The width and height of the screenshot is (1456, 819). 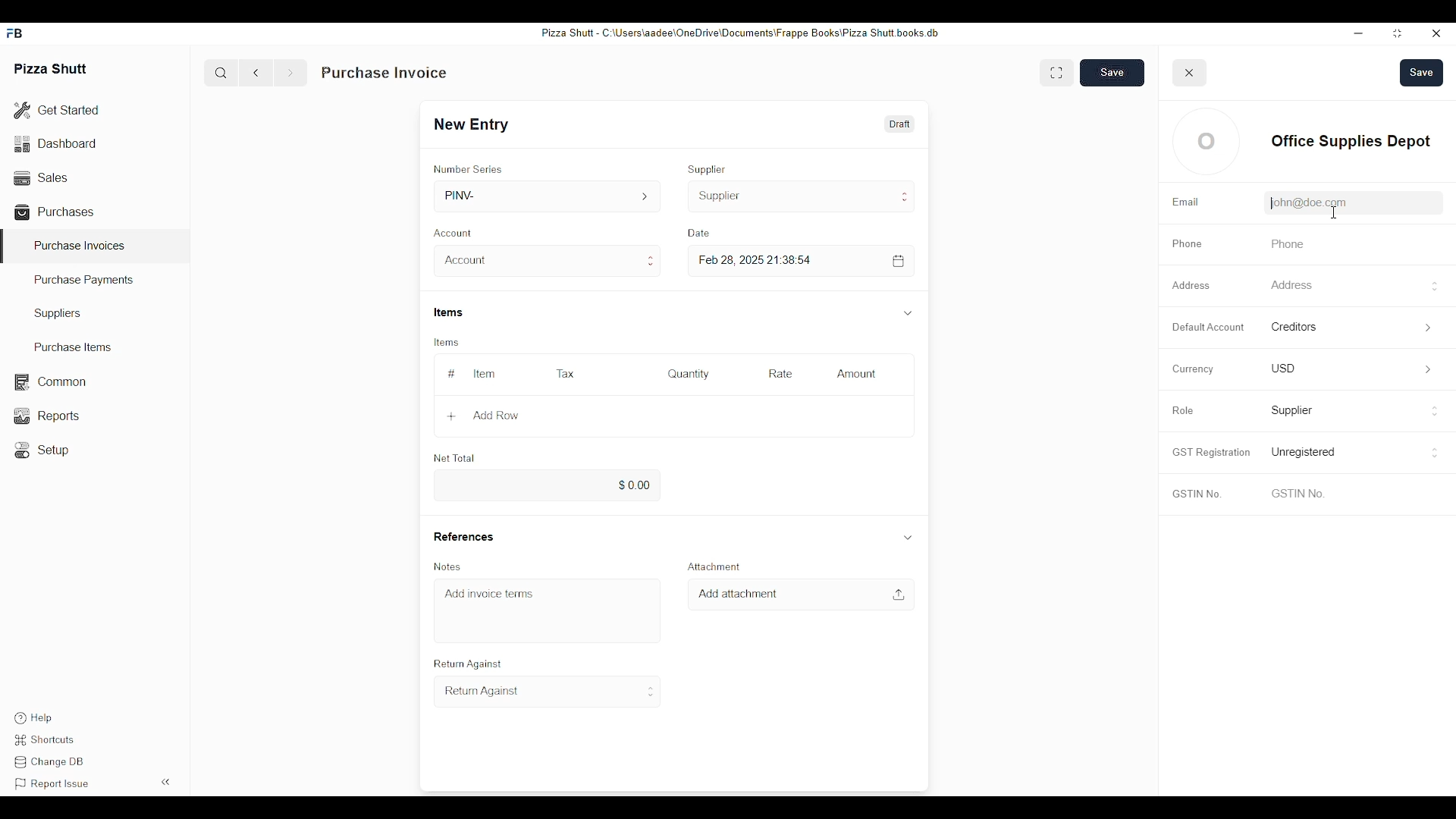 What do you see at coordinates (1284, 244) in the screenshot?
I see `Phone` at bounding box center [1284, 244].